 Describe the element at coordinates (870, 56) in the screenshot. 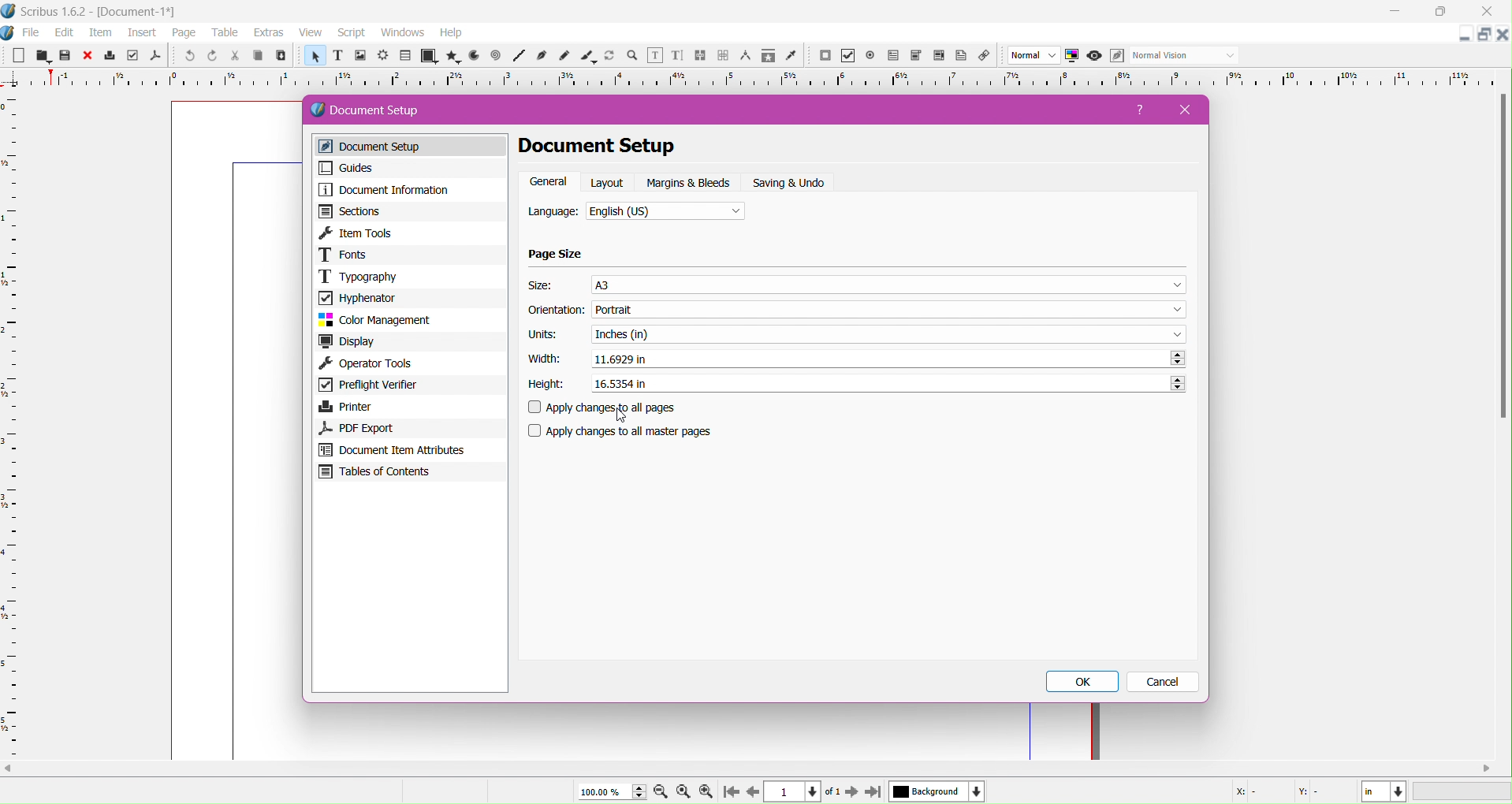

I see `pdf radio button` at that location.